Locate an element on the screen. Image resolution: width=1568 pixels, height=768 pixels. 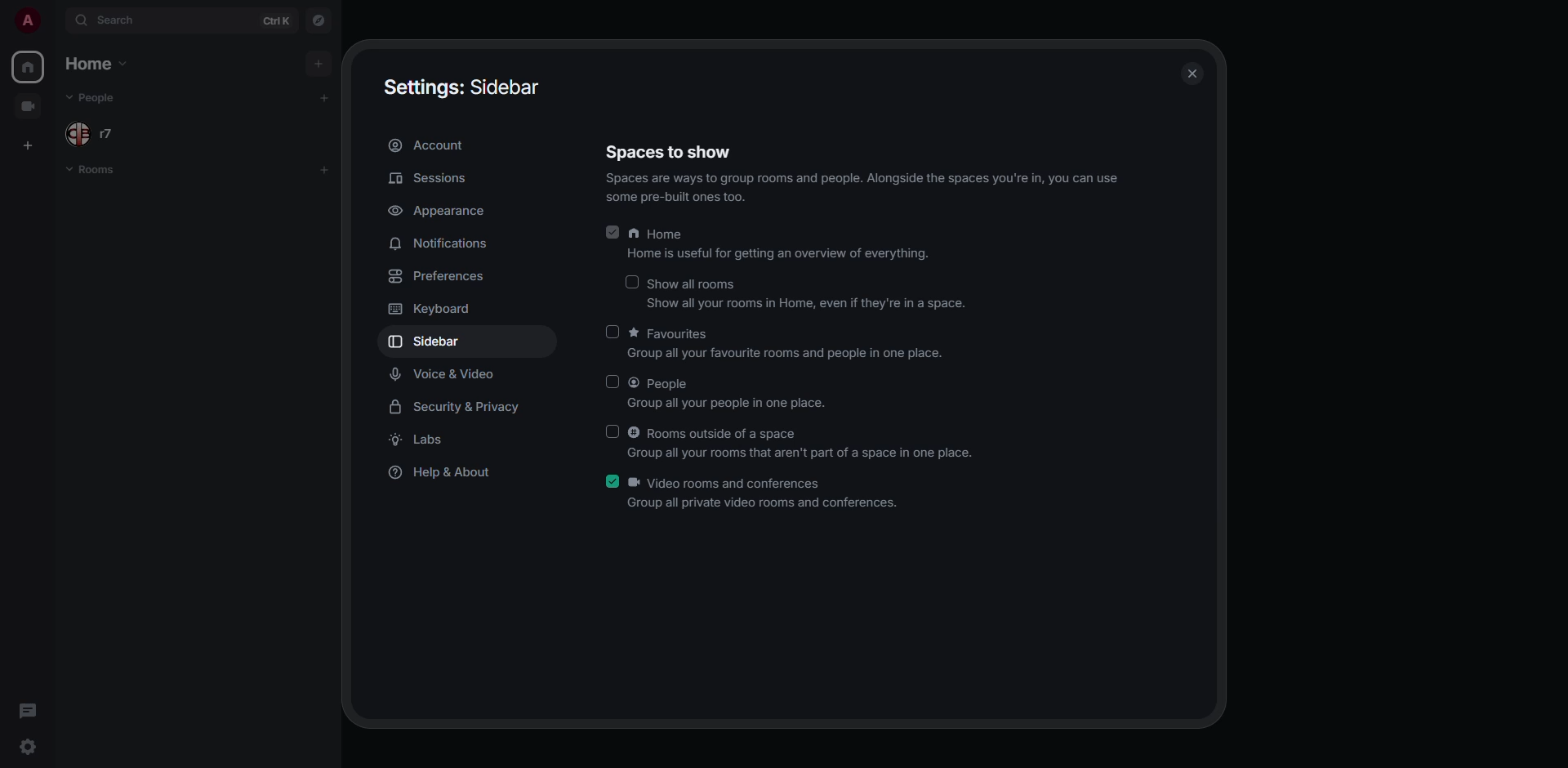
sidebar is located at coordinates (430, 342).